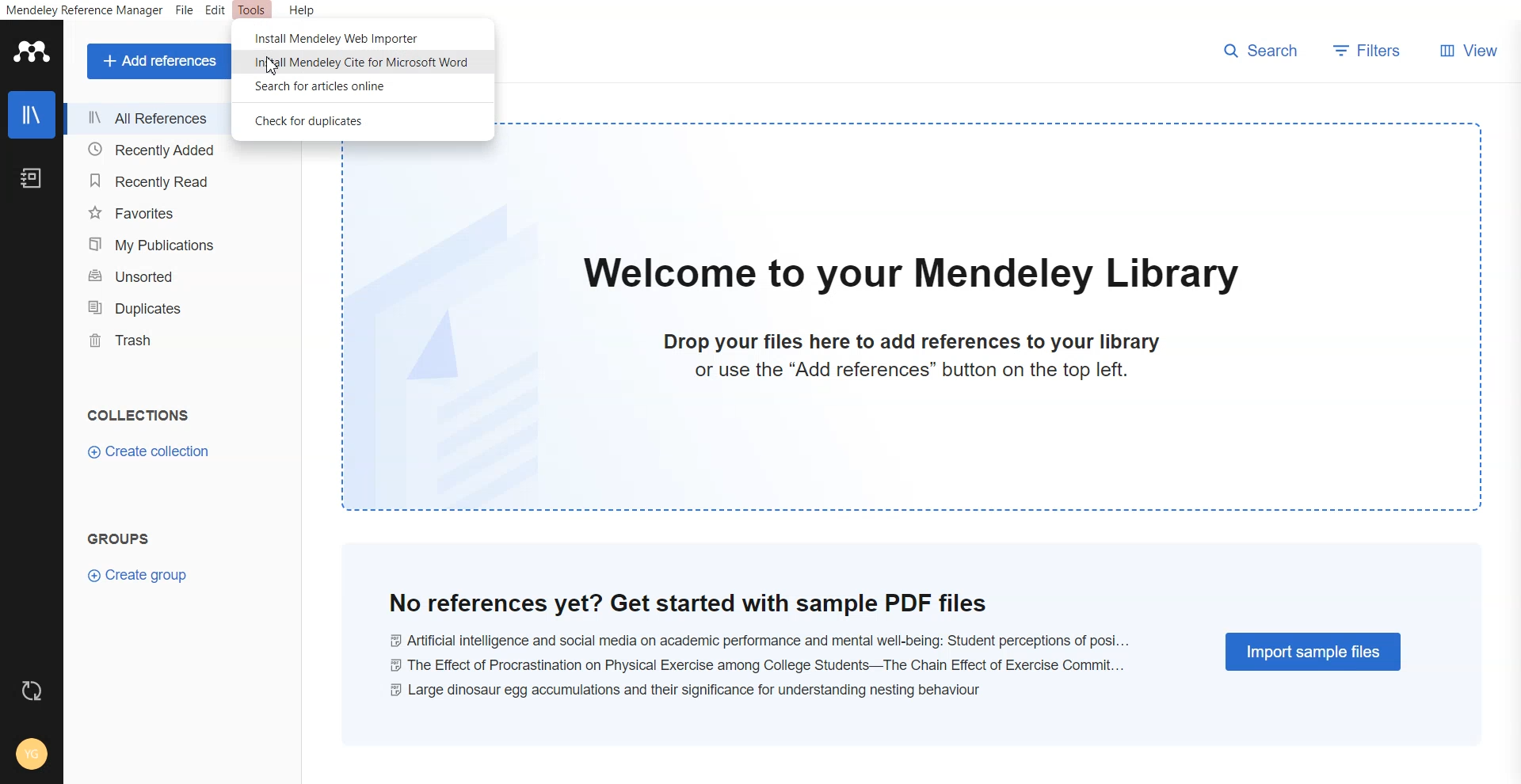 The width and height of the screenshot is (1521, 784). What do you see at coordinates (1465, 52) in the screenshot?
I see `View` at bounding box center [1465, 52].